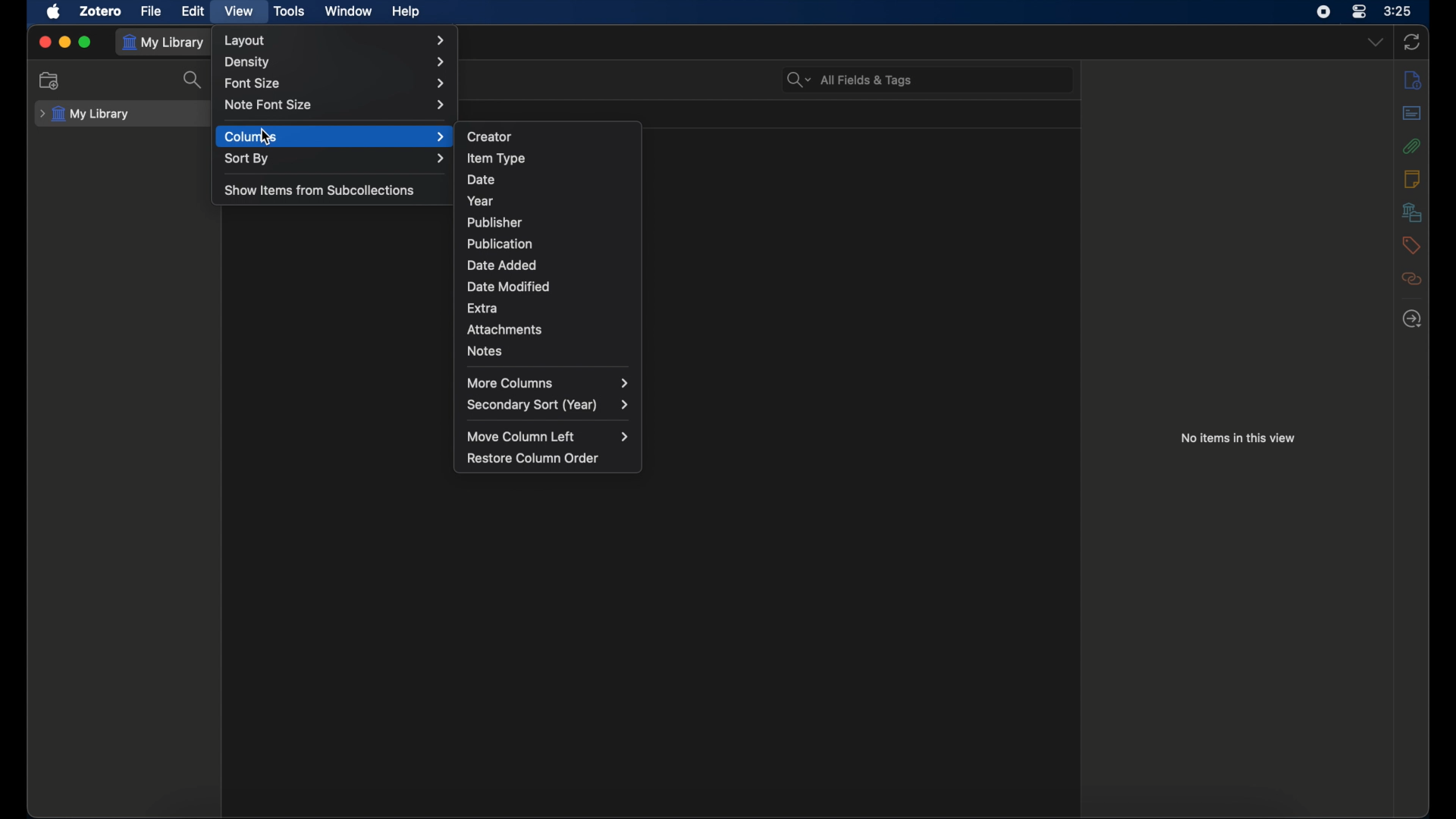  What do you see at coordinates (483, 309) in the screenshot?
I see `extra` at bounding box center [483, 309].